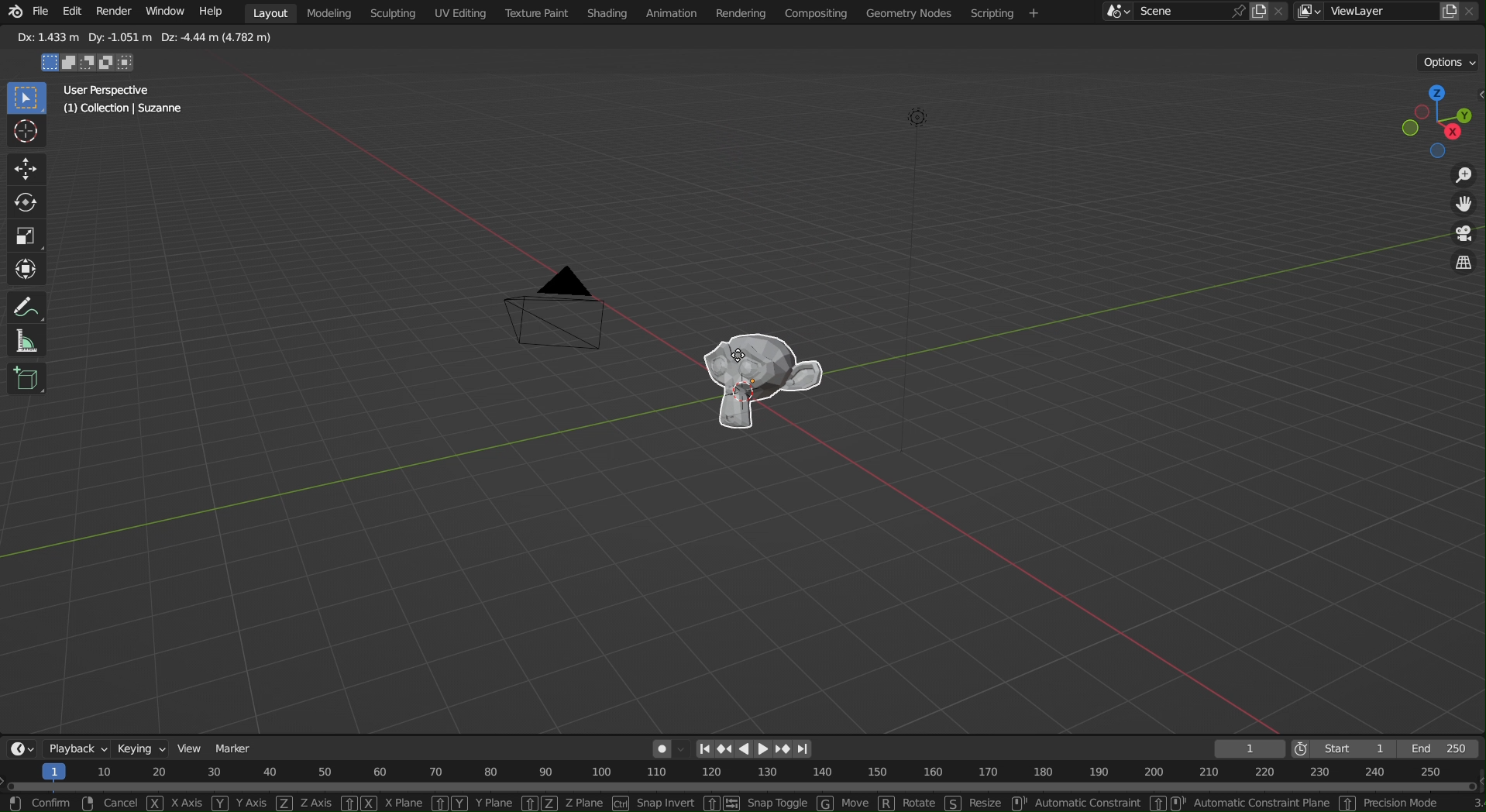  I want to click on left click, so click(16, 803).